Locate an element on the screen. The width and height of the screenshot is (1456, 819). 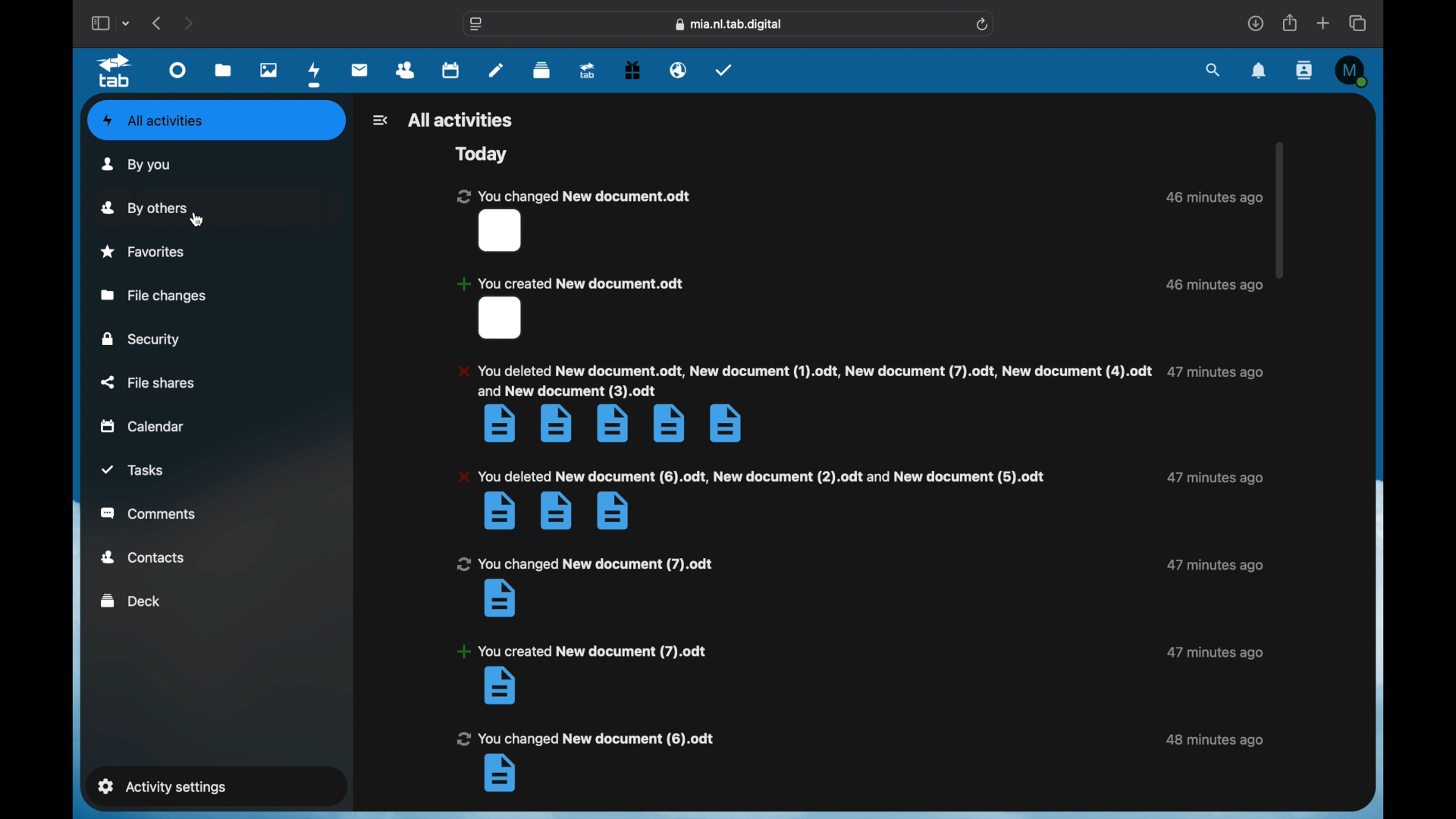
show sidebar is located at coordinates (99, 23).